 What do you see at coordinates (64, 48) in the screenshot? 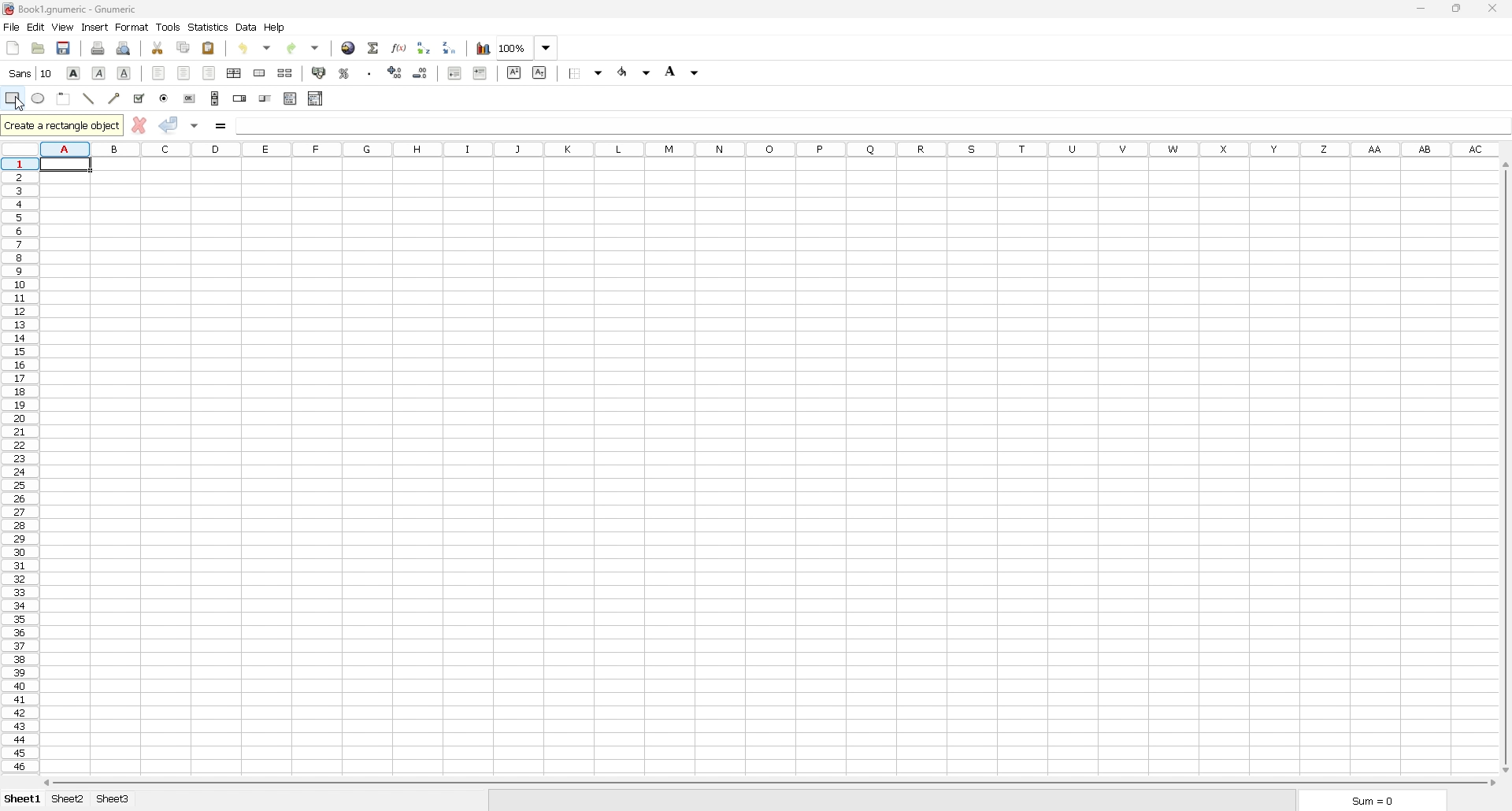
I see `save` at bounding box center [64, 48].